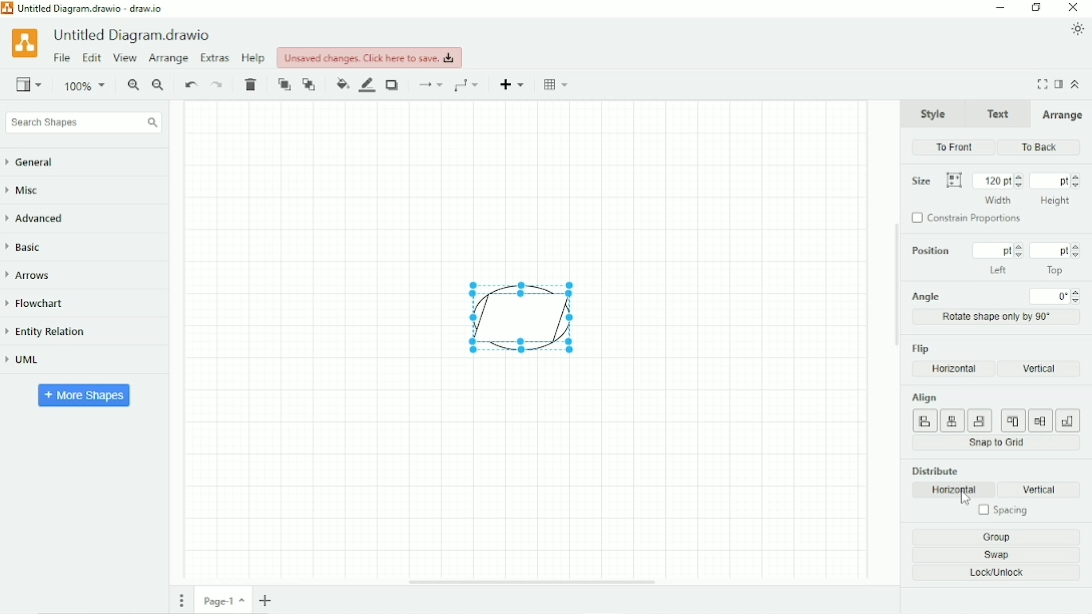 This screenshot has height=614, width=1092. I want to click on Position, so click(993, 259).